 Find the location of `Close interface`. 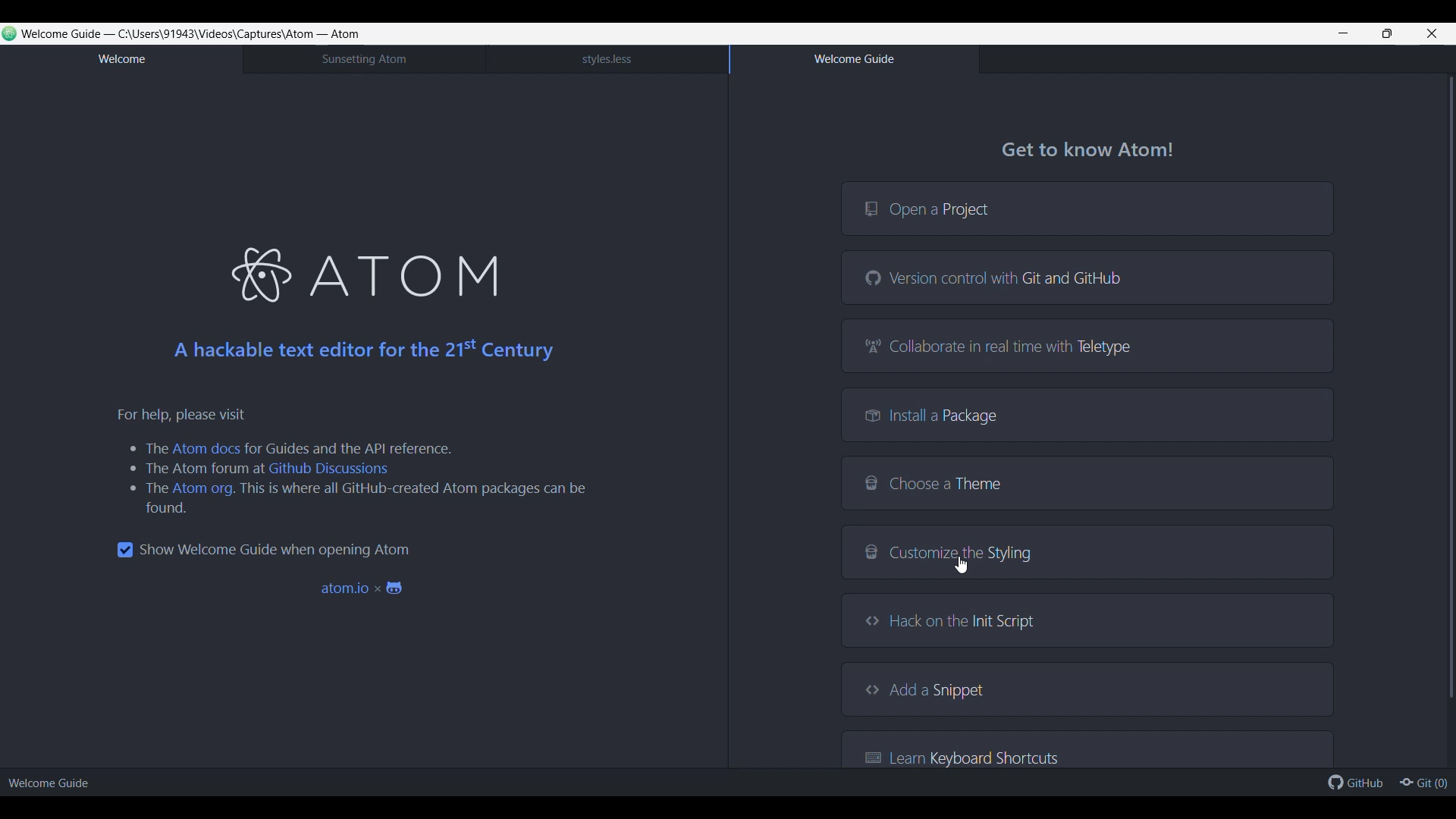

Close interface is located at coordinates (1432, 33).